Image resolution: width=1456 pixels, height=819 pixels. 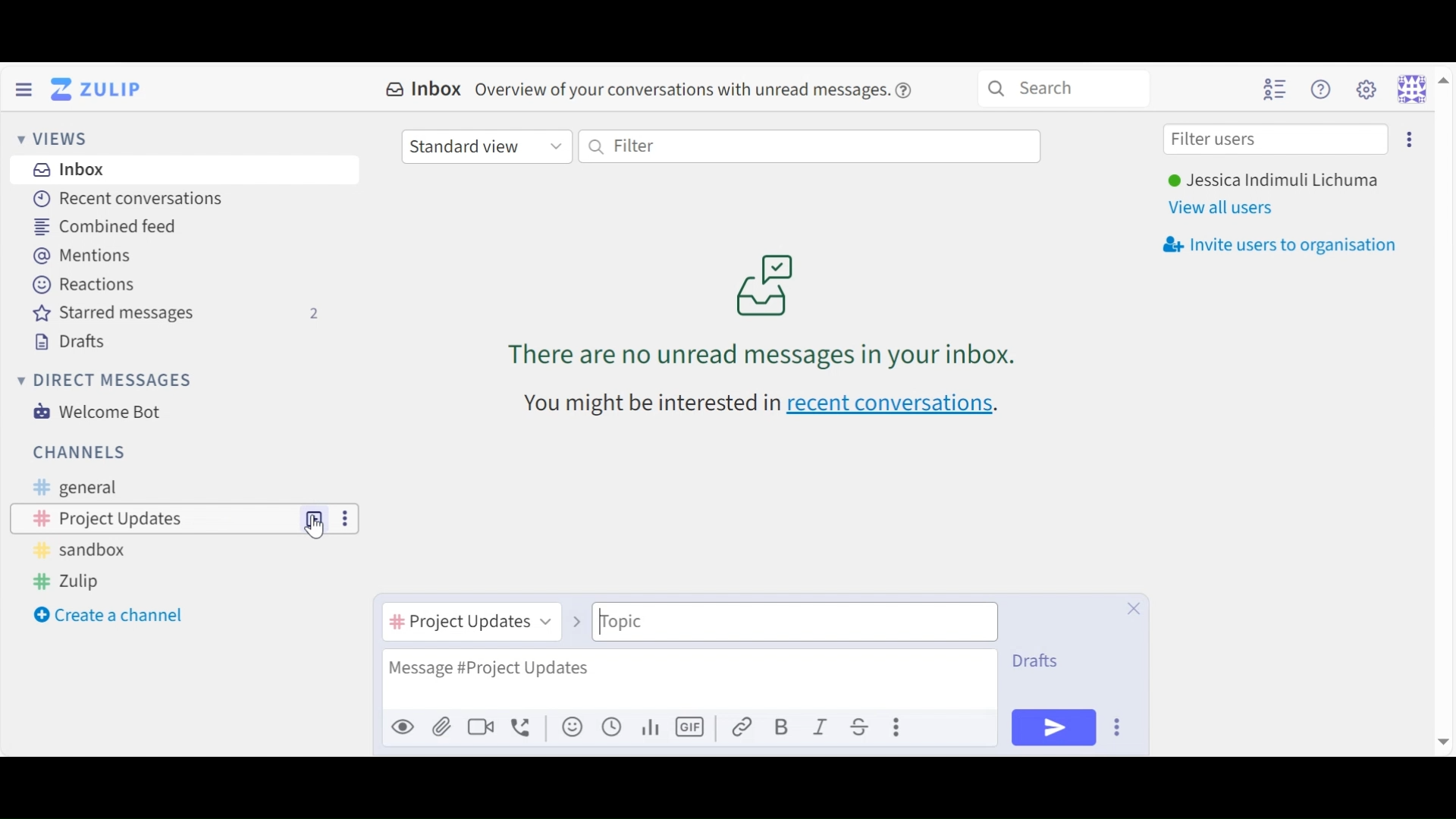 What do you see at coordinates (315, 518) in the screenshot?
I see `New Topic` at bounding box center [315, 518].